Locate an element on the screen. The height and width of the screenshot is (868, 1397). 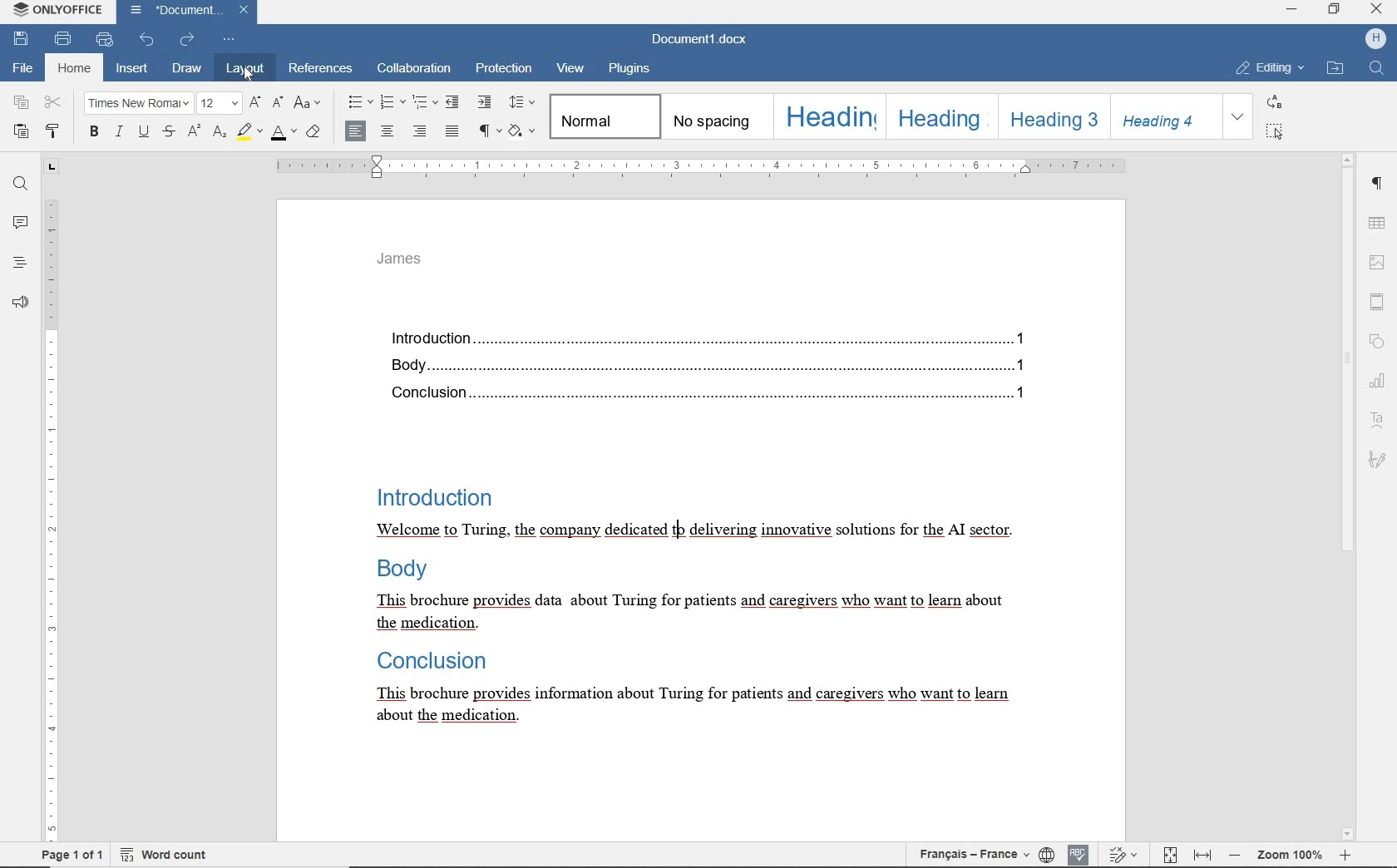
zoom out or zoom in is located at coordinates (1291, 854).